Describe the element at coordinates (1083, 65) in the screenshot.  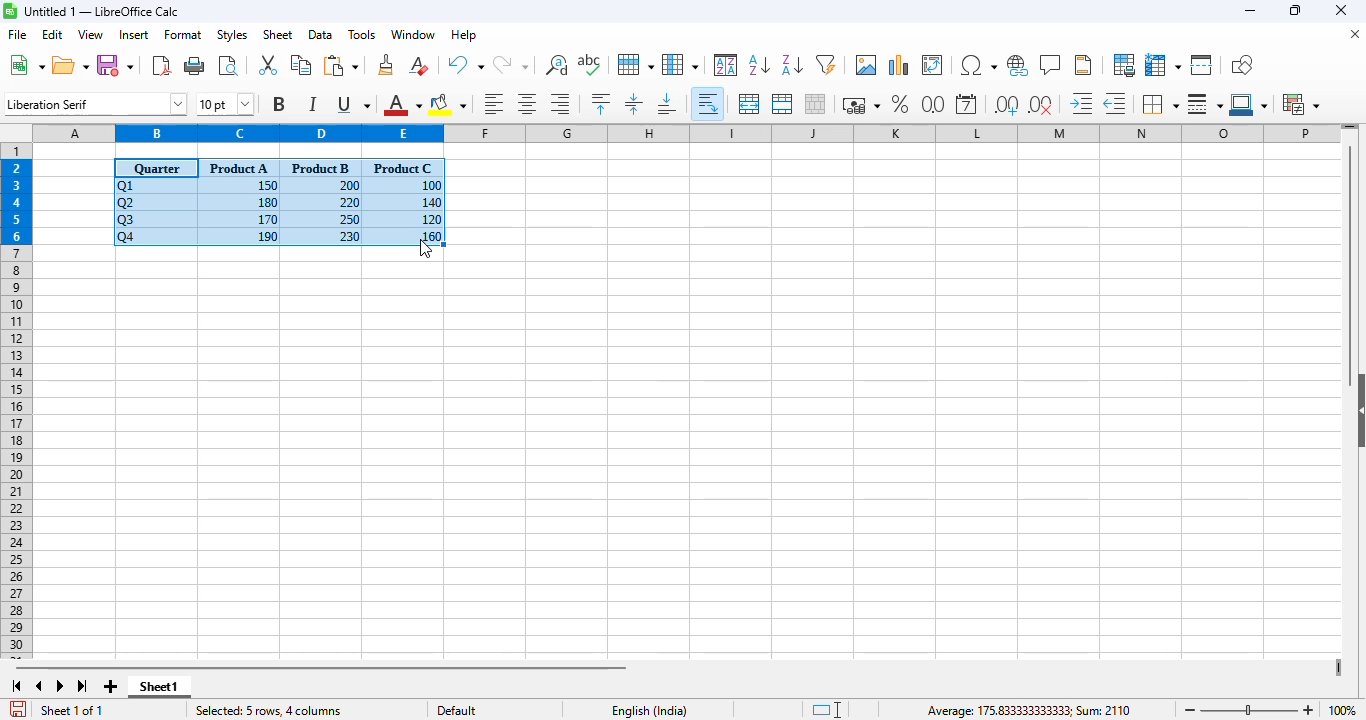
I see `headers and footers` at that location.